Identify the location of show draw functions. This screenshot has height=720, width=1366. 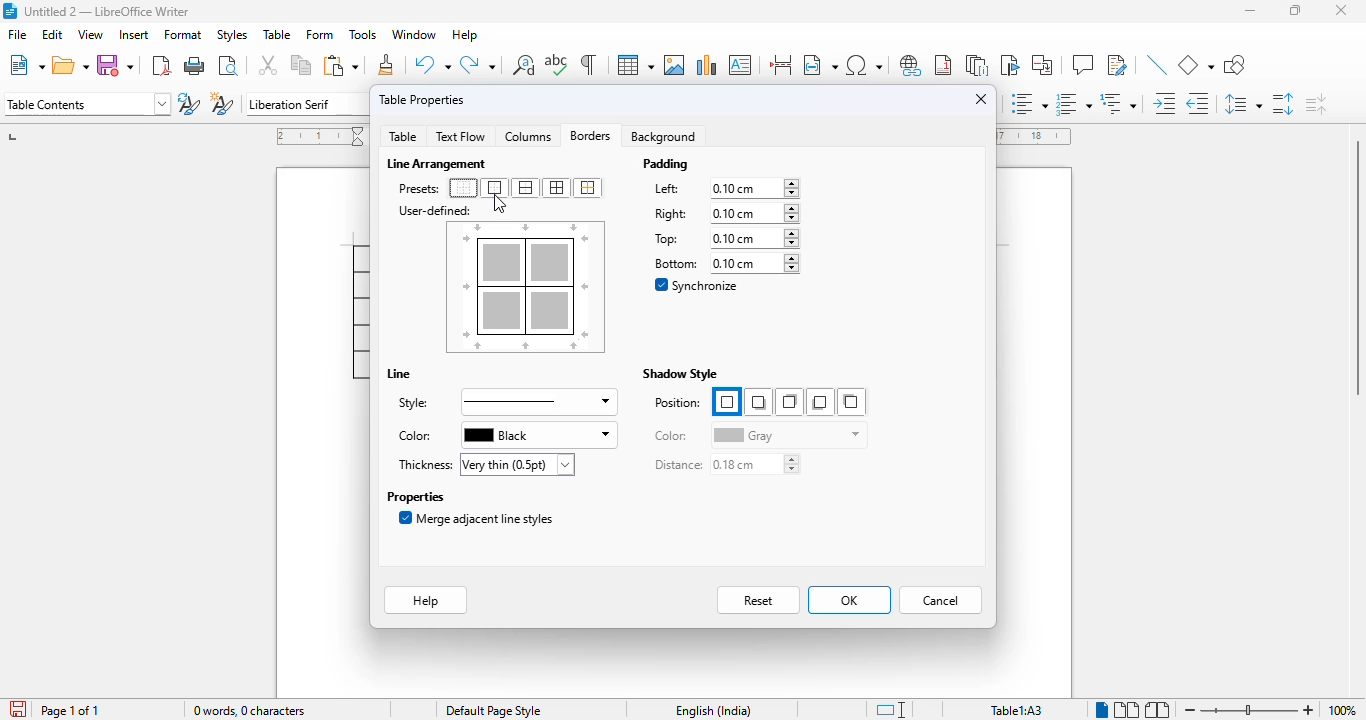
(1233, 64).